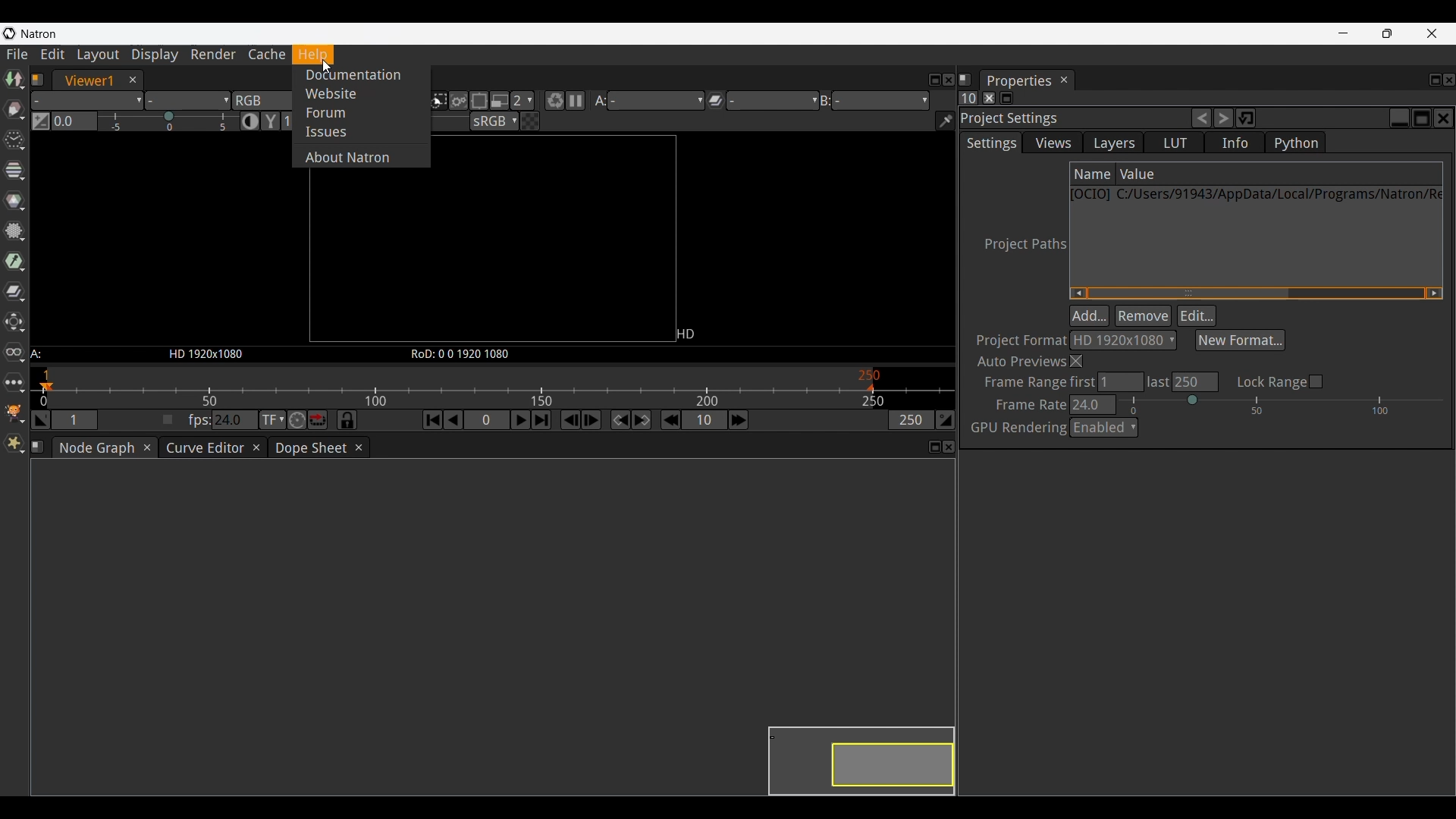 This screenshot has height=819, width=1456. Describe the element at coordinates (1123, 340) in the screenshot. I see `HD 1920 x 1080` at that location.